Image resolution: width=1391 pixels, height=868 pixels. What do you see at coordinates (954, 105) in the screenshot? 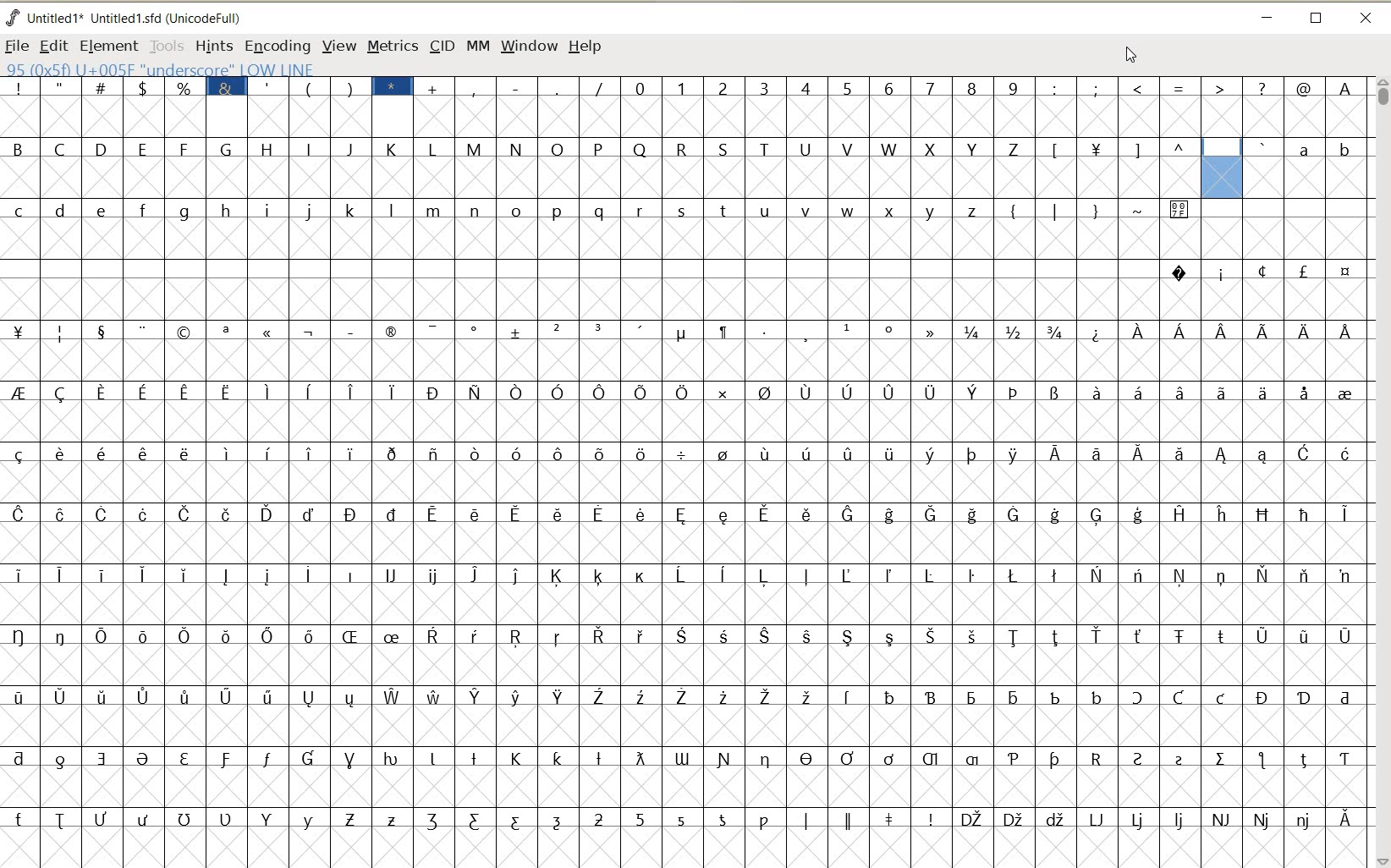
I see `GLYPHY CHARACTERS & NUMBERS` at bounding box center [954, 105].